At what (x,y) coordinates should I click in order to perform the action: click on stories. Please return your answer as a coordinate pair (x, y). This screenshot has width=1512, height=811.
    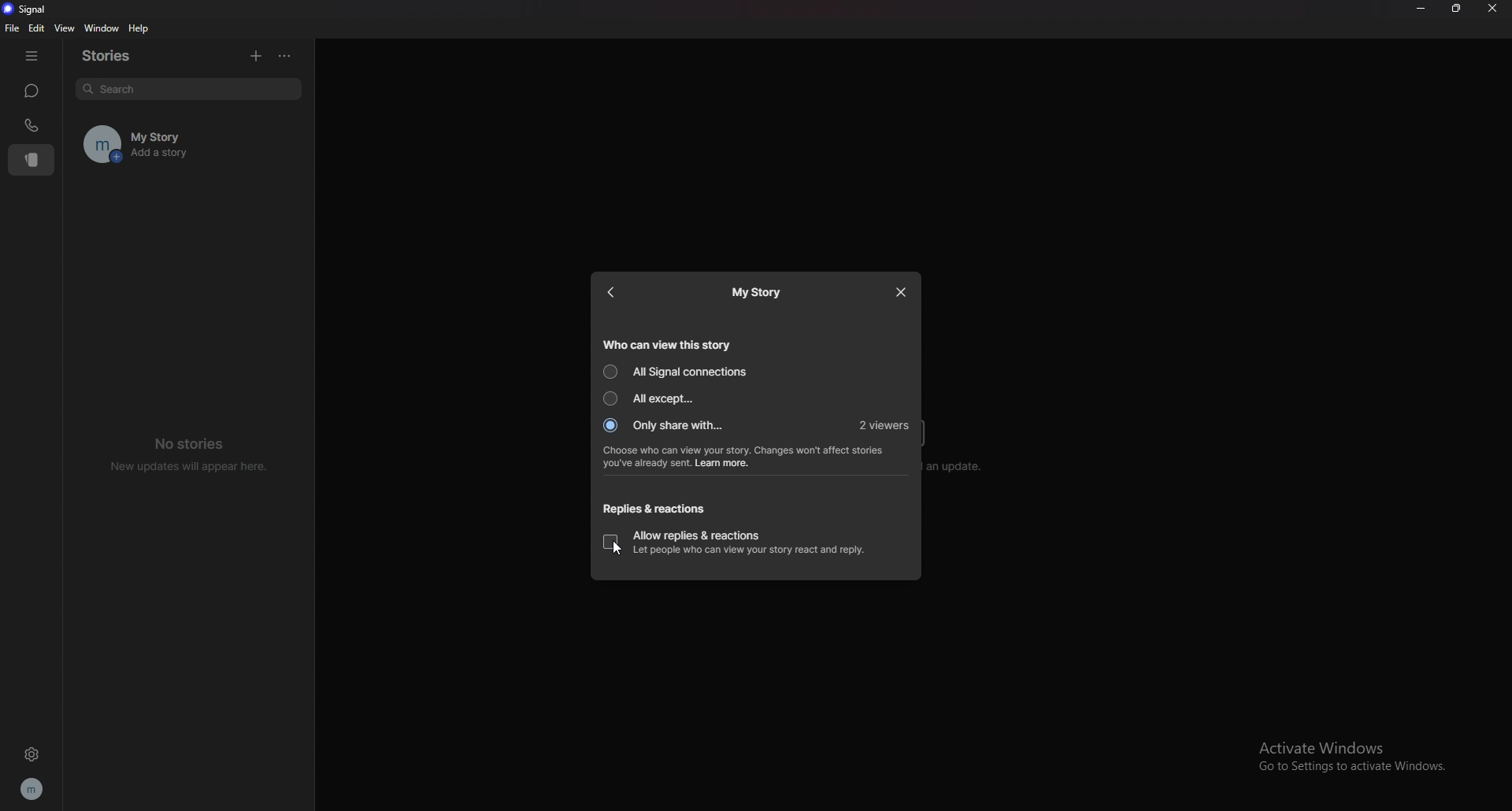
    Looking at the image, I should click on (33, 160).